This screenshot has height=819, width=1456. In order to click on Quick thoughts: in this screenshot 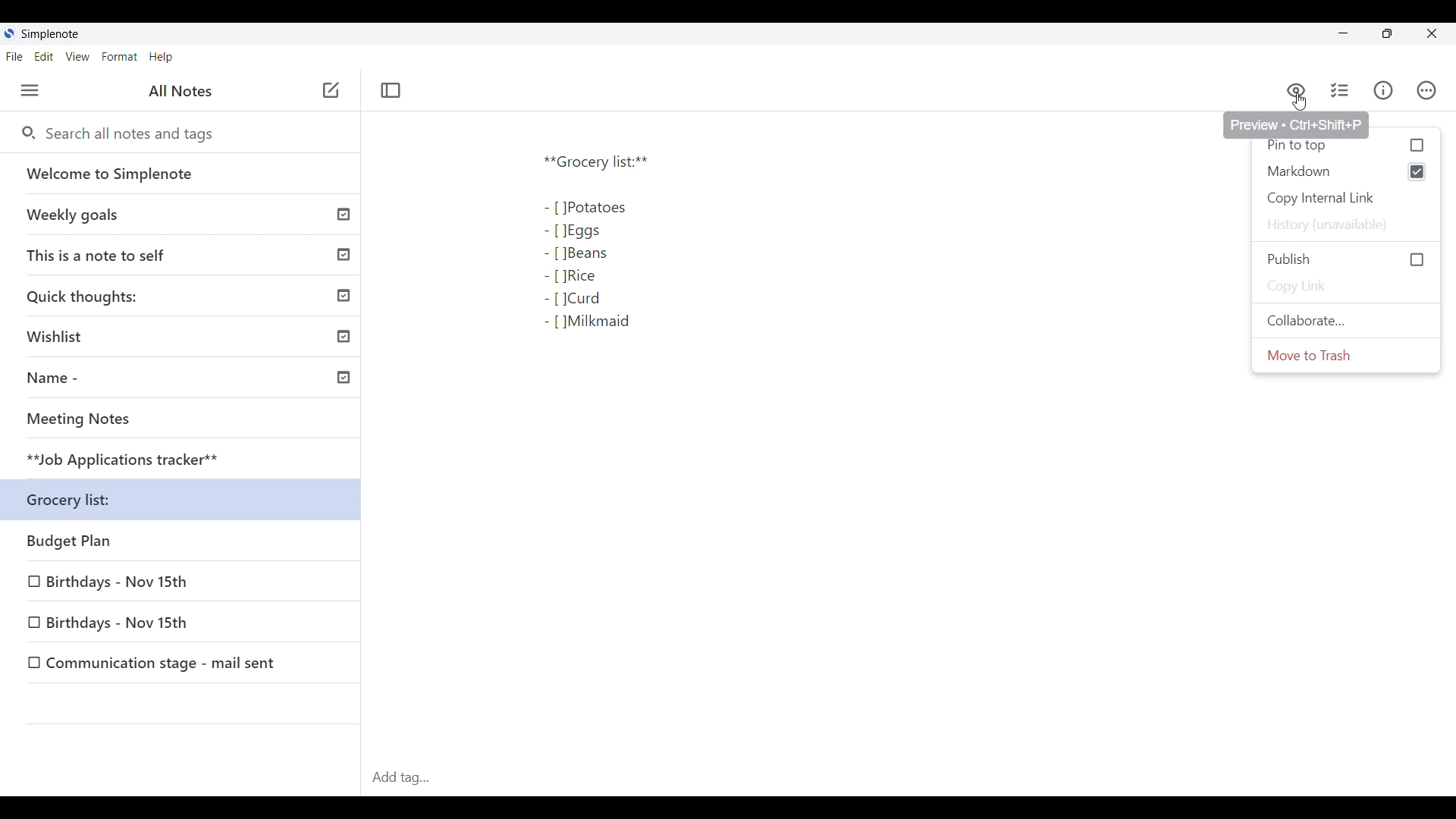, I will do `click(187, 298)`.